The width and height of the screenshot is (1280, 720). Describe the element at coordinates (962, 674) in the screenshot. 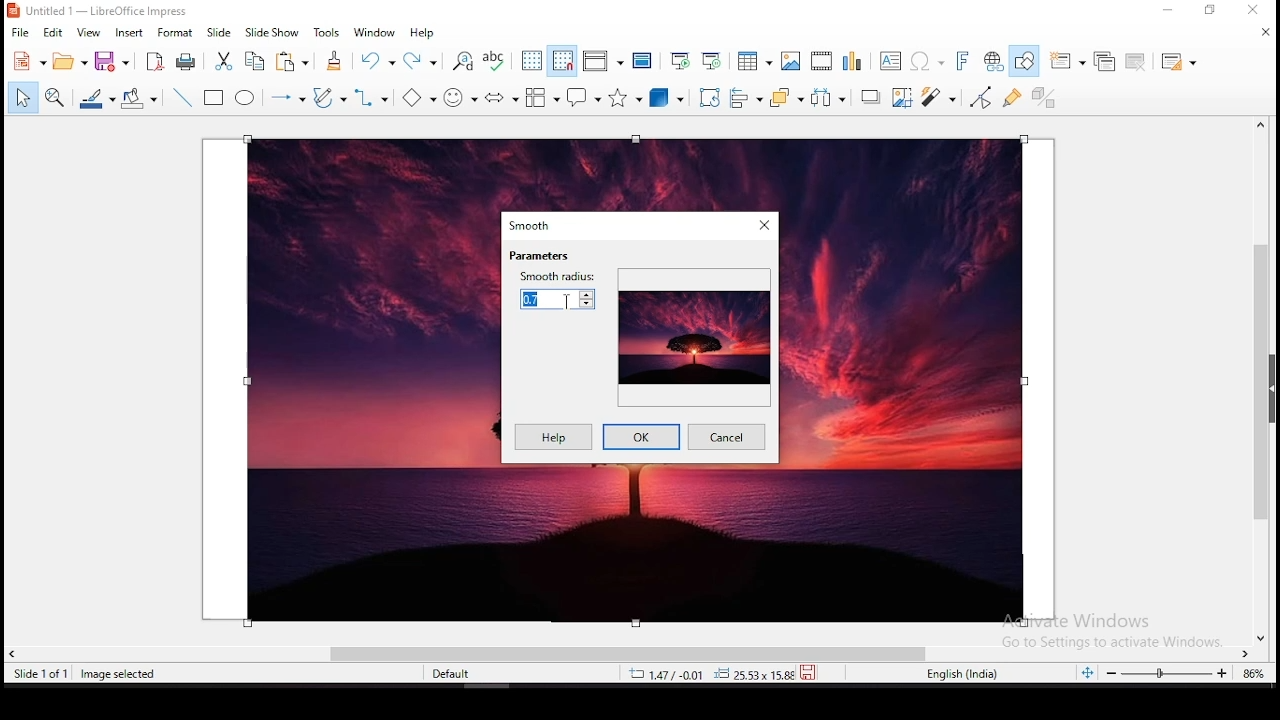

I see `english (india)` at that location.